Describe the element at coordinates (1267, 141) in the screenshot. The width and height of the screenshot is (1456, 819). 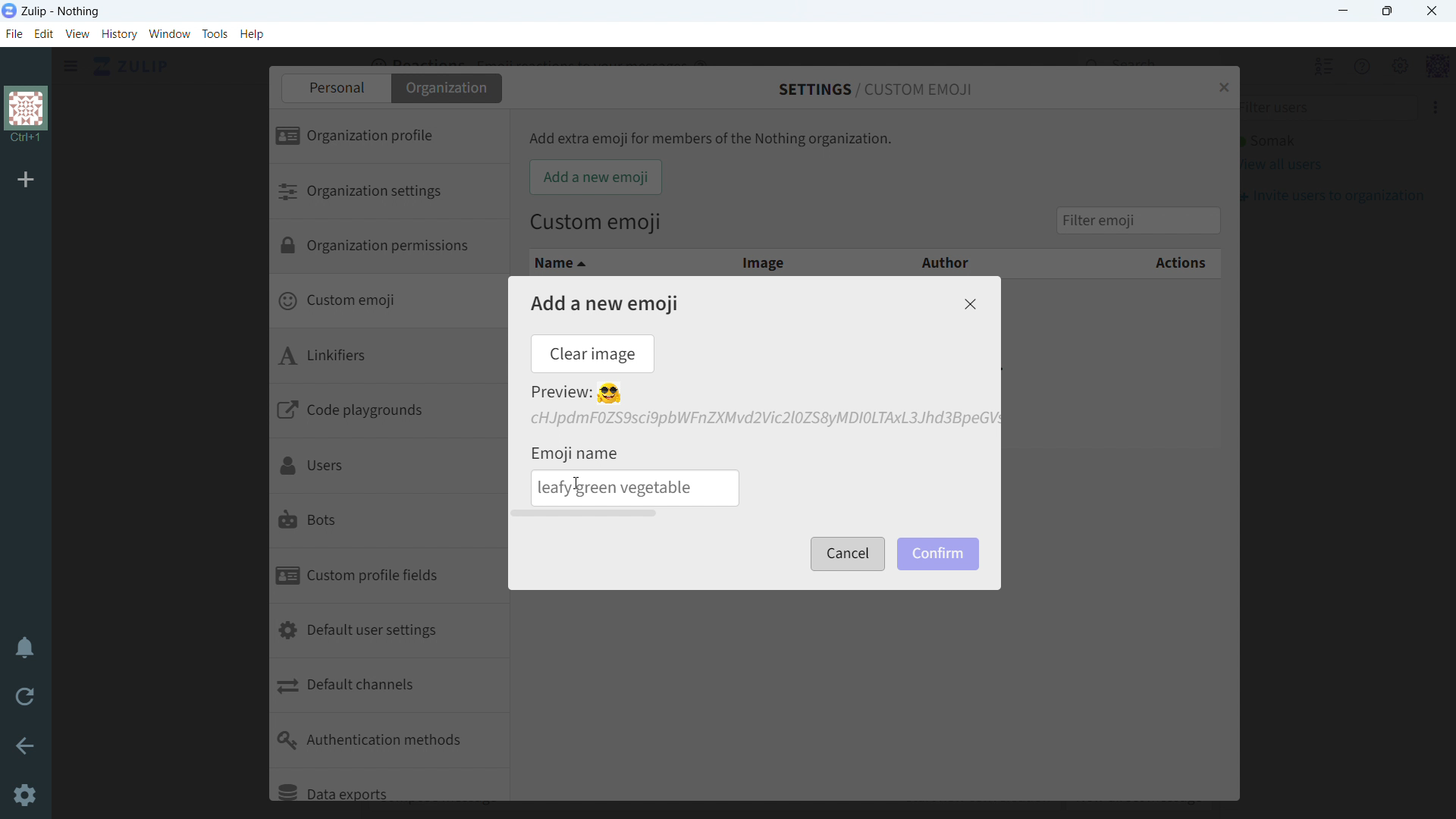
I see `active user` at that location.